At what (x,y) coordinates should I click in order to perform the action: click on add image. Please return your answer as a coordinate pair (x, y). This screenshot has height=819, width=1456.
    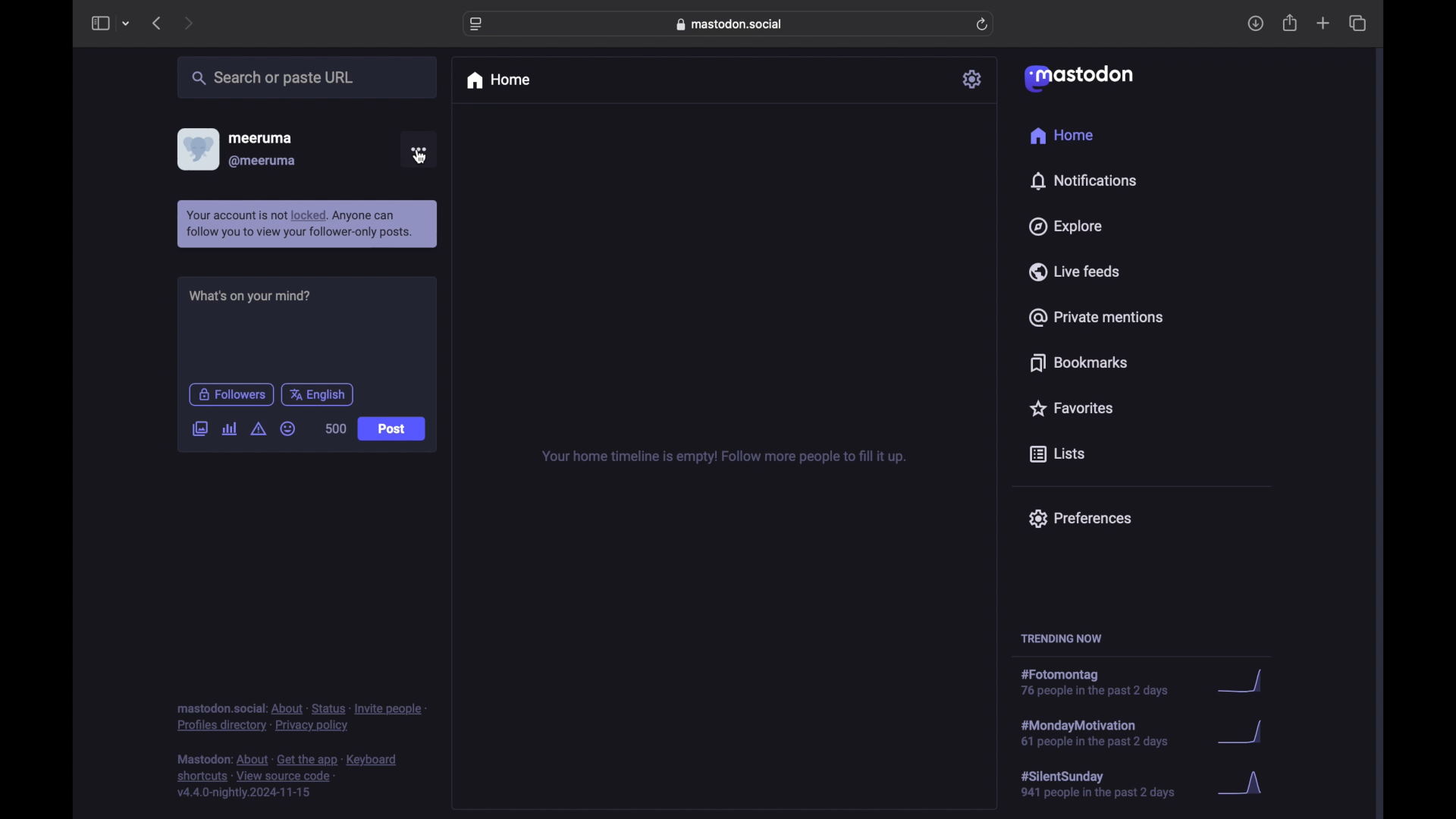
    Looking at the image, I should click on (199, 429).